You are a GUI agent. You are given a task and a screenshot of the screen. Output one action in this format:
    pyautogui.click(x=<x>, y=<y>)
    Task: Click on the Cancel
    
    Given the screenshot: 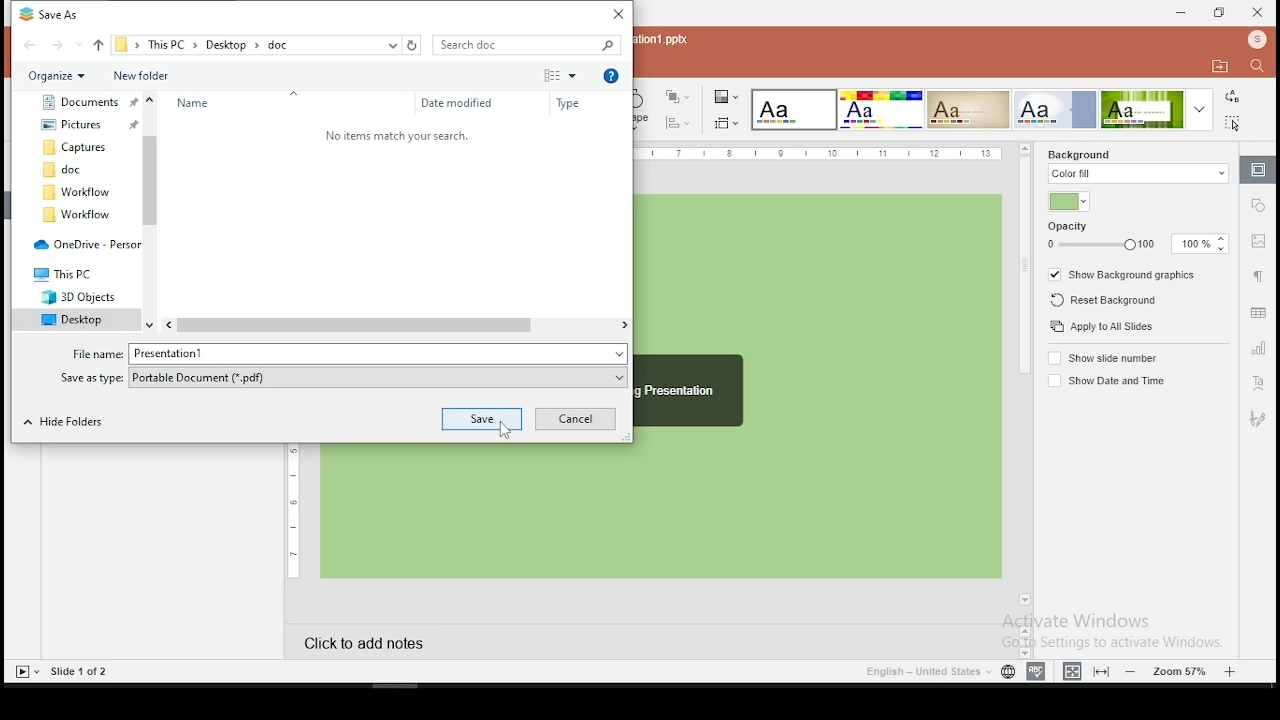 What is the action you would take?
    pyautogui.click(x=573, y=419)
    